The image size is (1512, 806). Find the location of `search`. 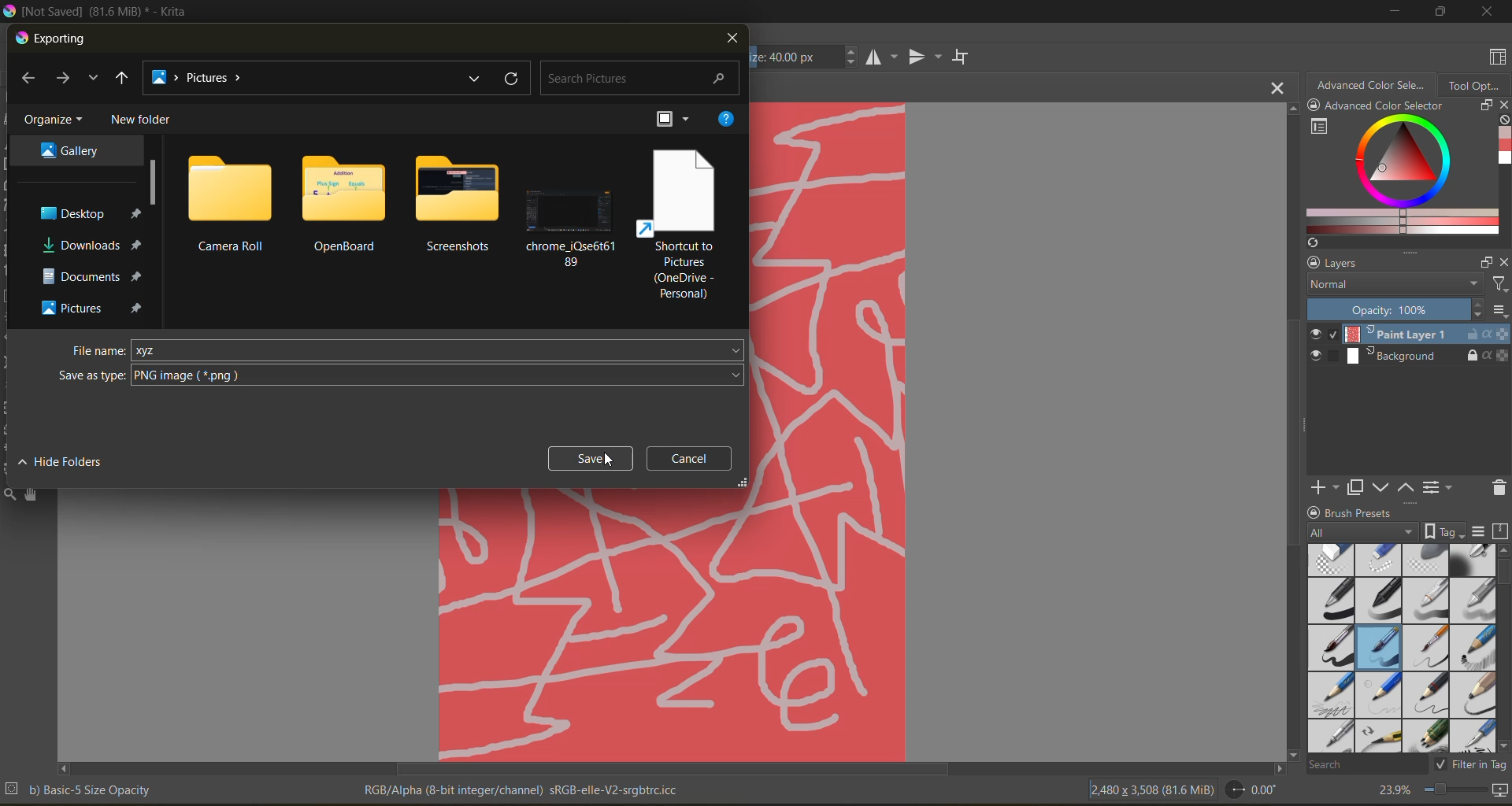

search is located at coordinates (642, 79).